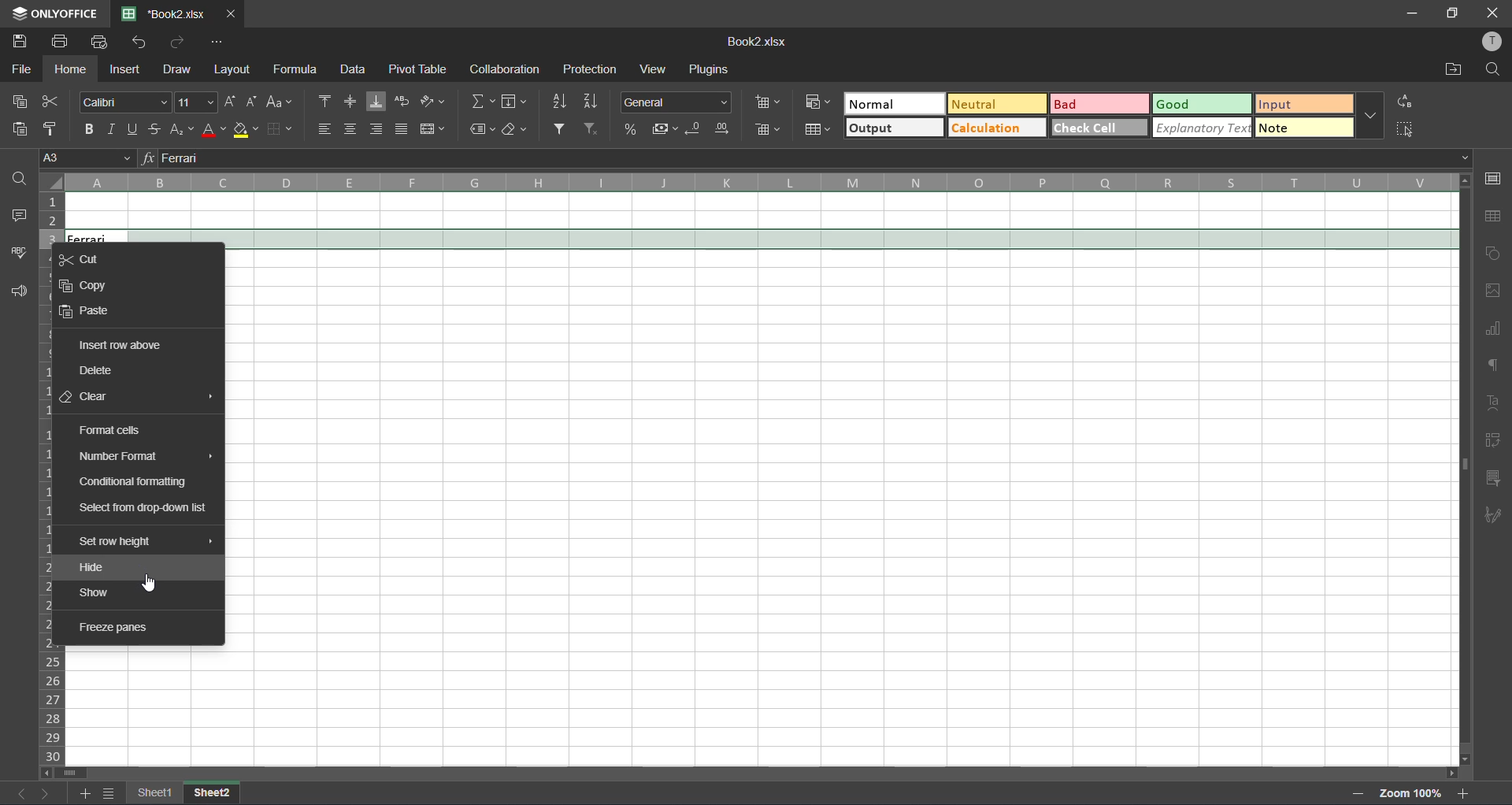 Image resolution: width=1512 pixels, height=805 pixels. What do you see at coordinates (480, 102) in the screenshot?
I see `summation` at bounding box center [480, 102].